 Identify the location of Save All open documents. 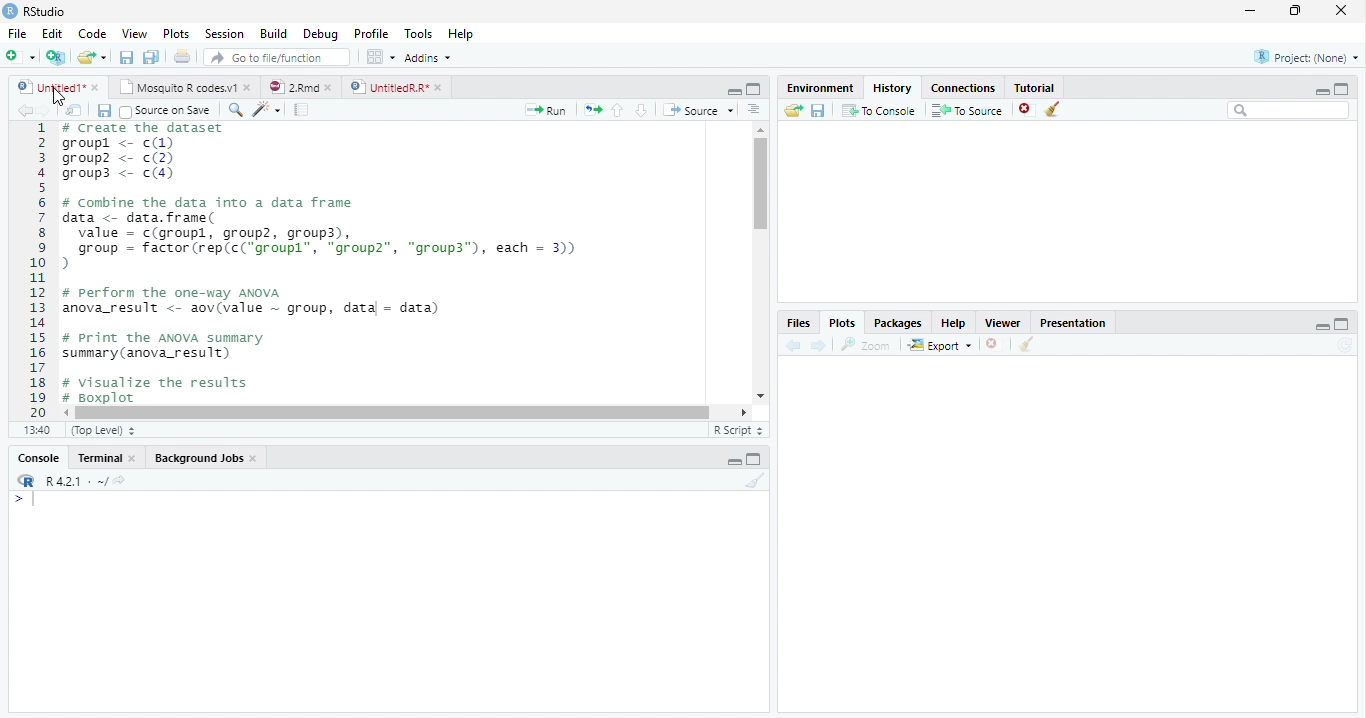
(150, 57).